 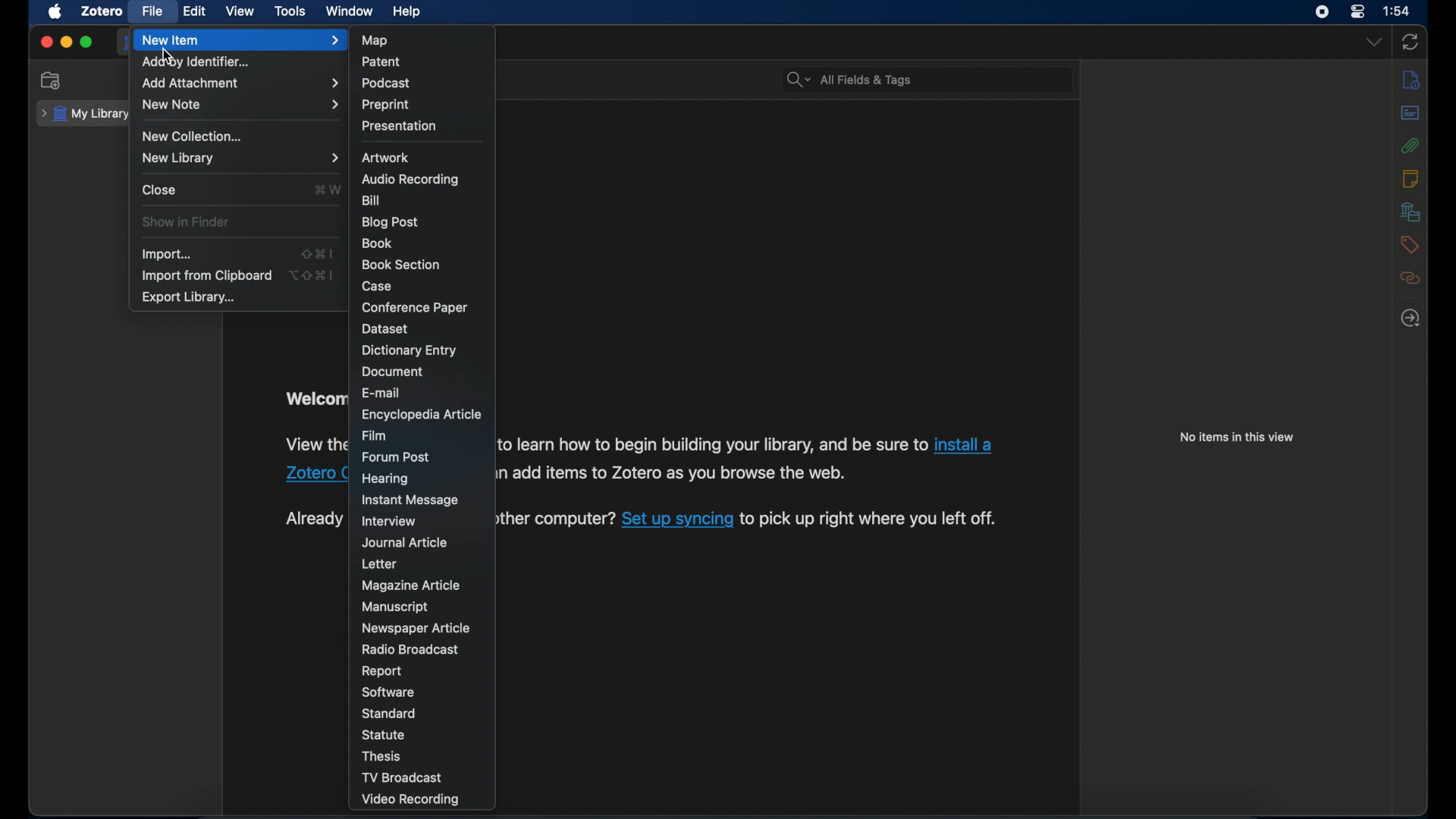 I want to click on Zotero , so click(x=307, y=475).